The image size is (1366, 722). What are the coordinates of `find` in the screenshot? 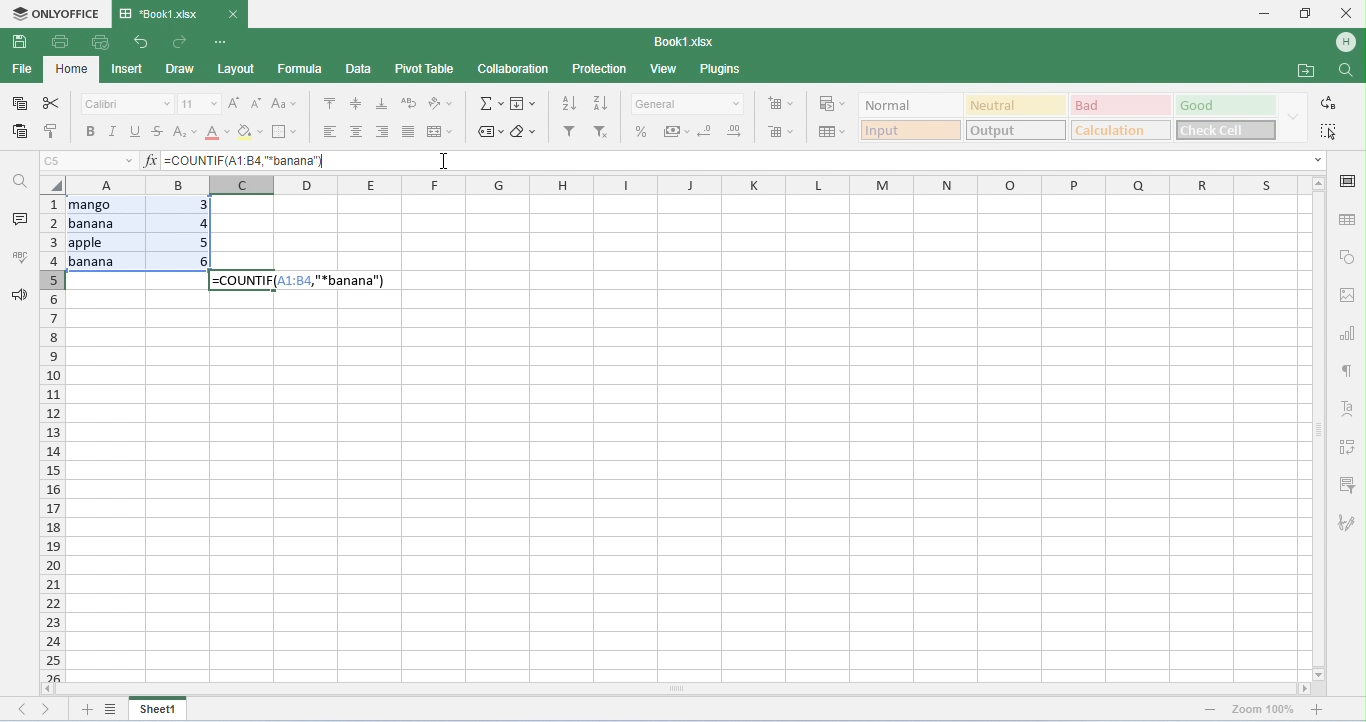 It's located at (19, 180).